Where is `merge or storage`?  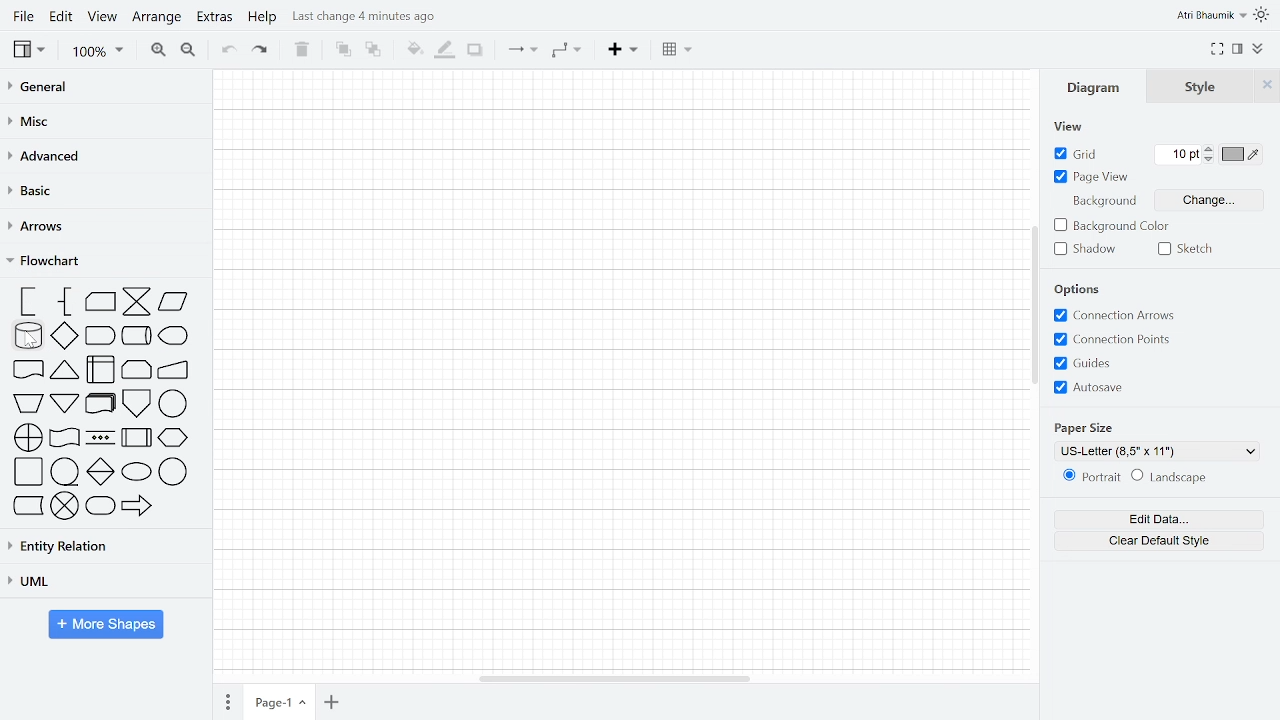 merge or storage is located at coordinates (65, 404).